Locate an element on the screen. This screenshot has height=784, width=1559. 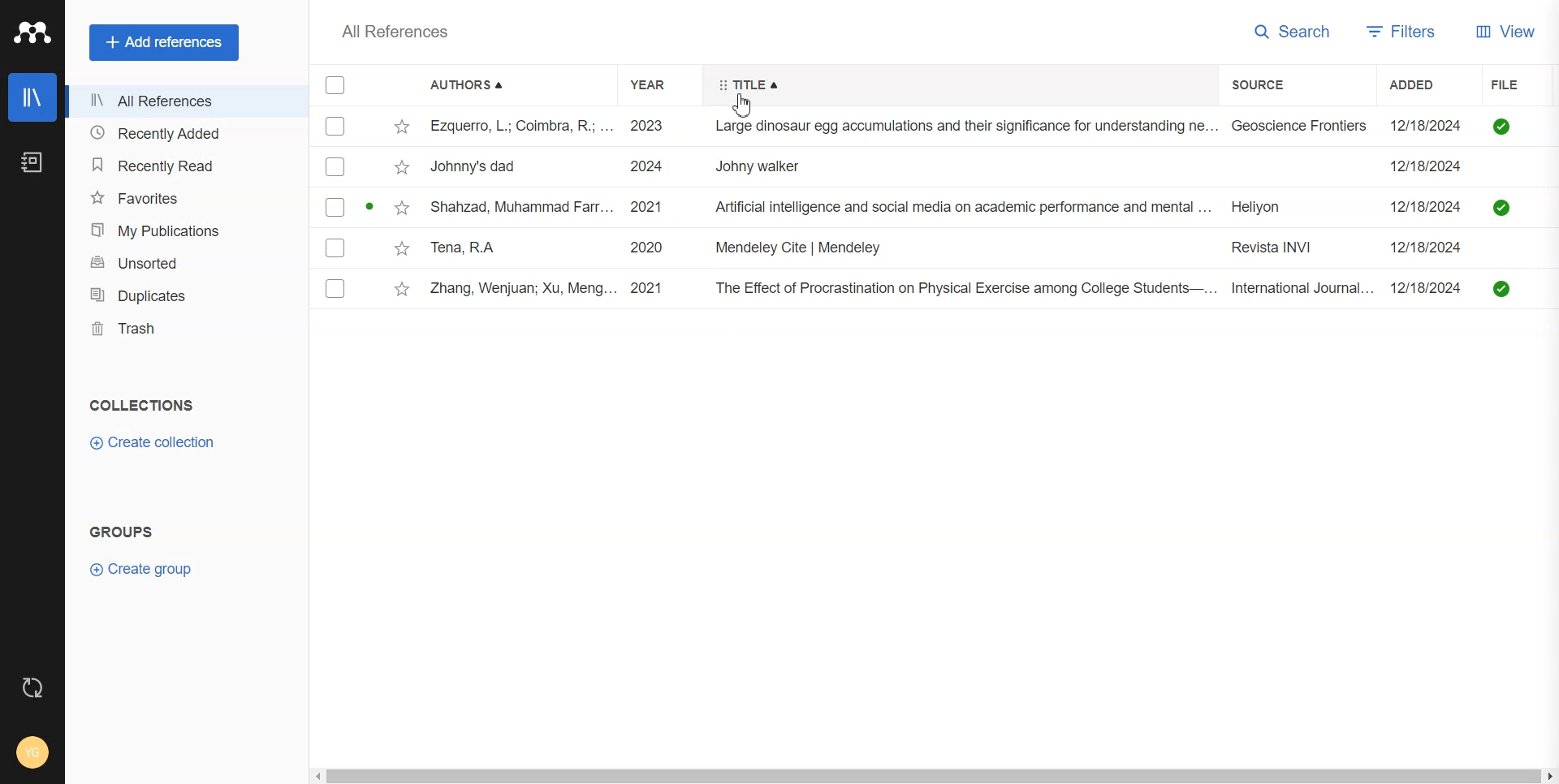
Recently Added is located at coordinates (185, 133).